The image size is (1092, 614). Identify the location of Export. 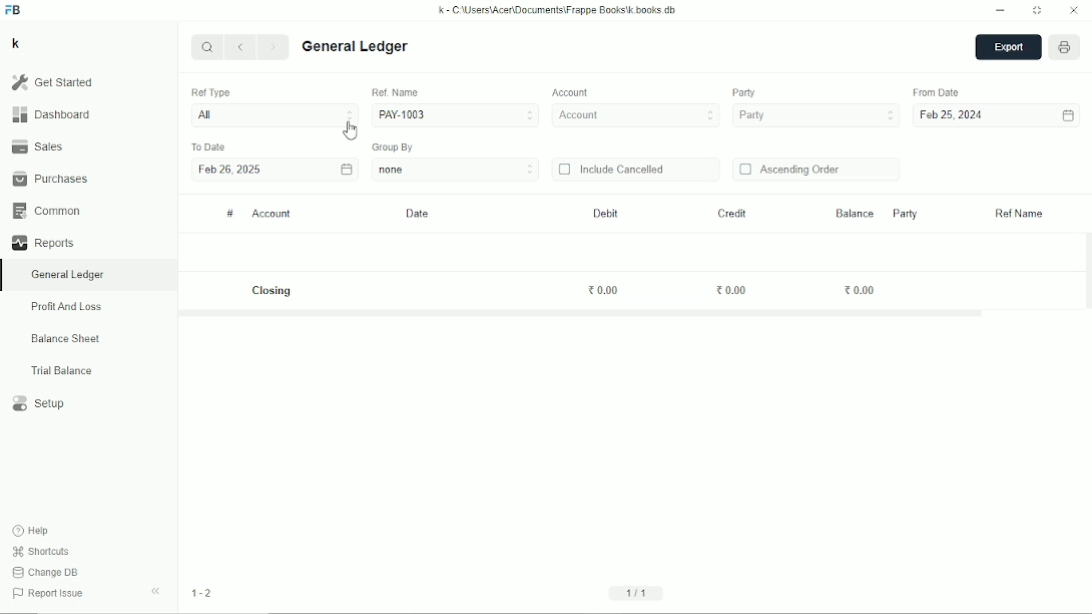
(1008, 48).